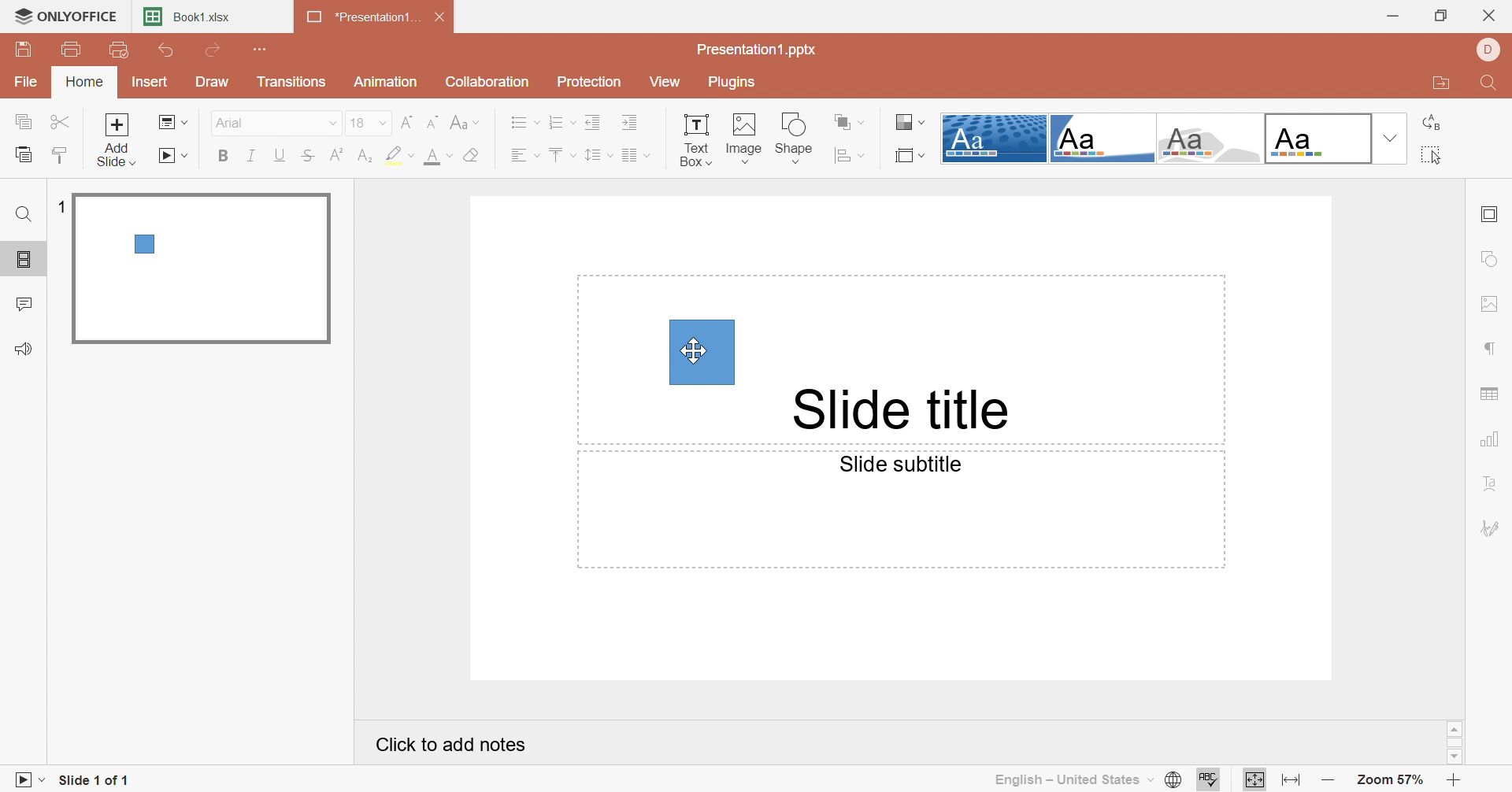 The width and height of the screenshot is (1512, 792). Describe the element at coordinates (1492, 214) in the screenshot. I see `Slide settings` at that location.